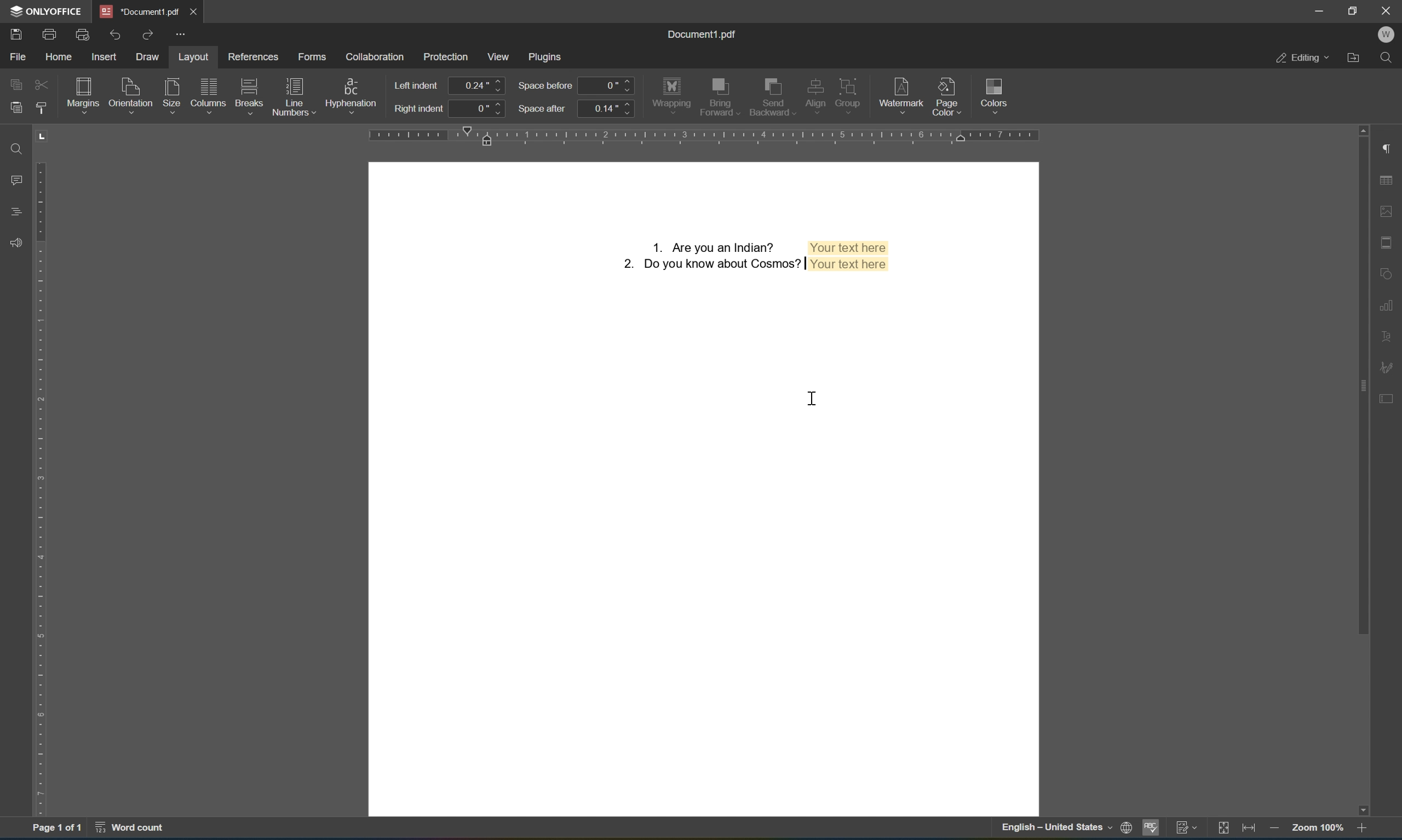  Describe the element at coordinates (902, 92) in the screenshot. I see `watermark` at that location.